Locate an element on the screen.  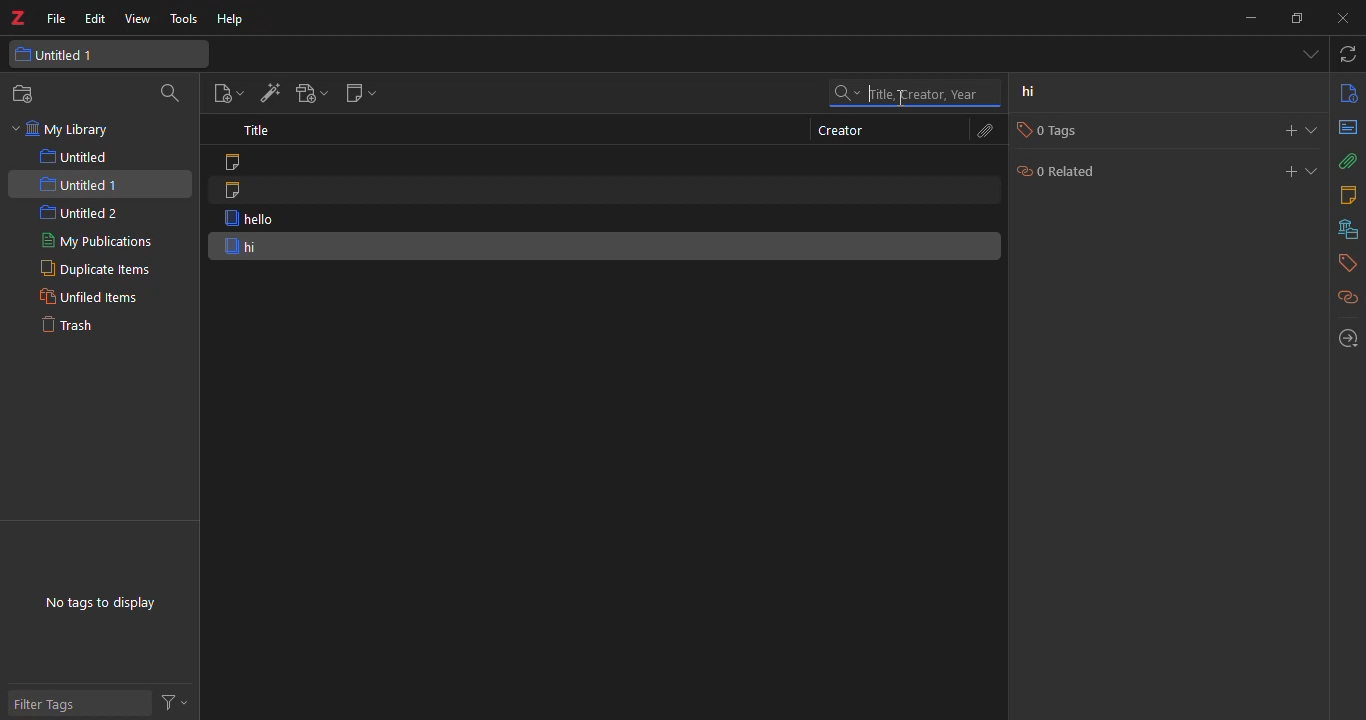
title is located at coordinates (258, 132).